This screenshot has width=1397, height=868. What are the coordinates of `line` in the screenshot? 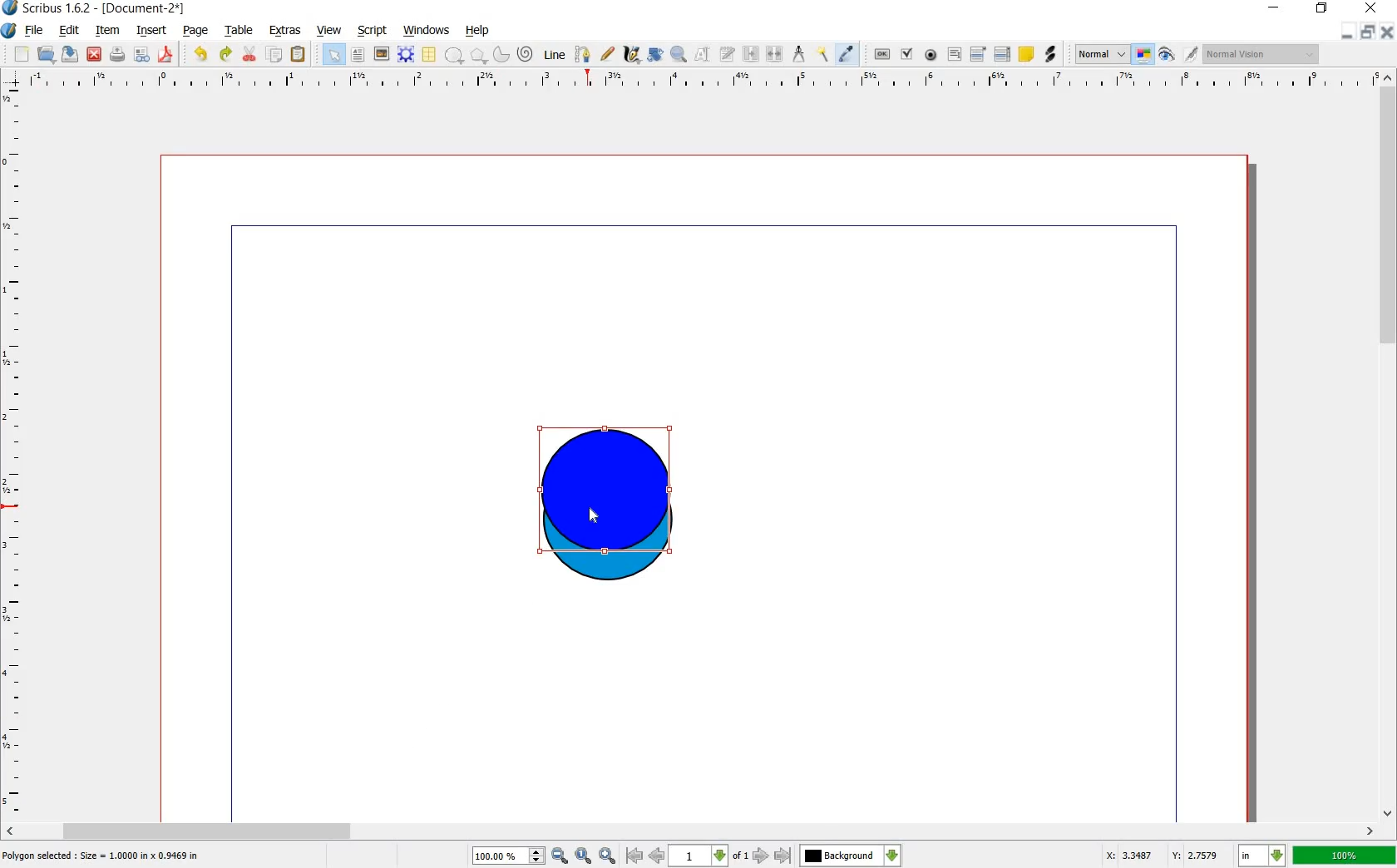 It's located at (553, 56).